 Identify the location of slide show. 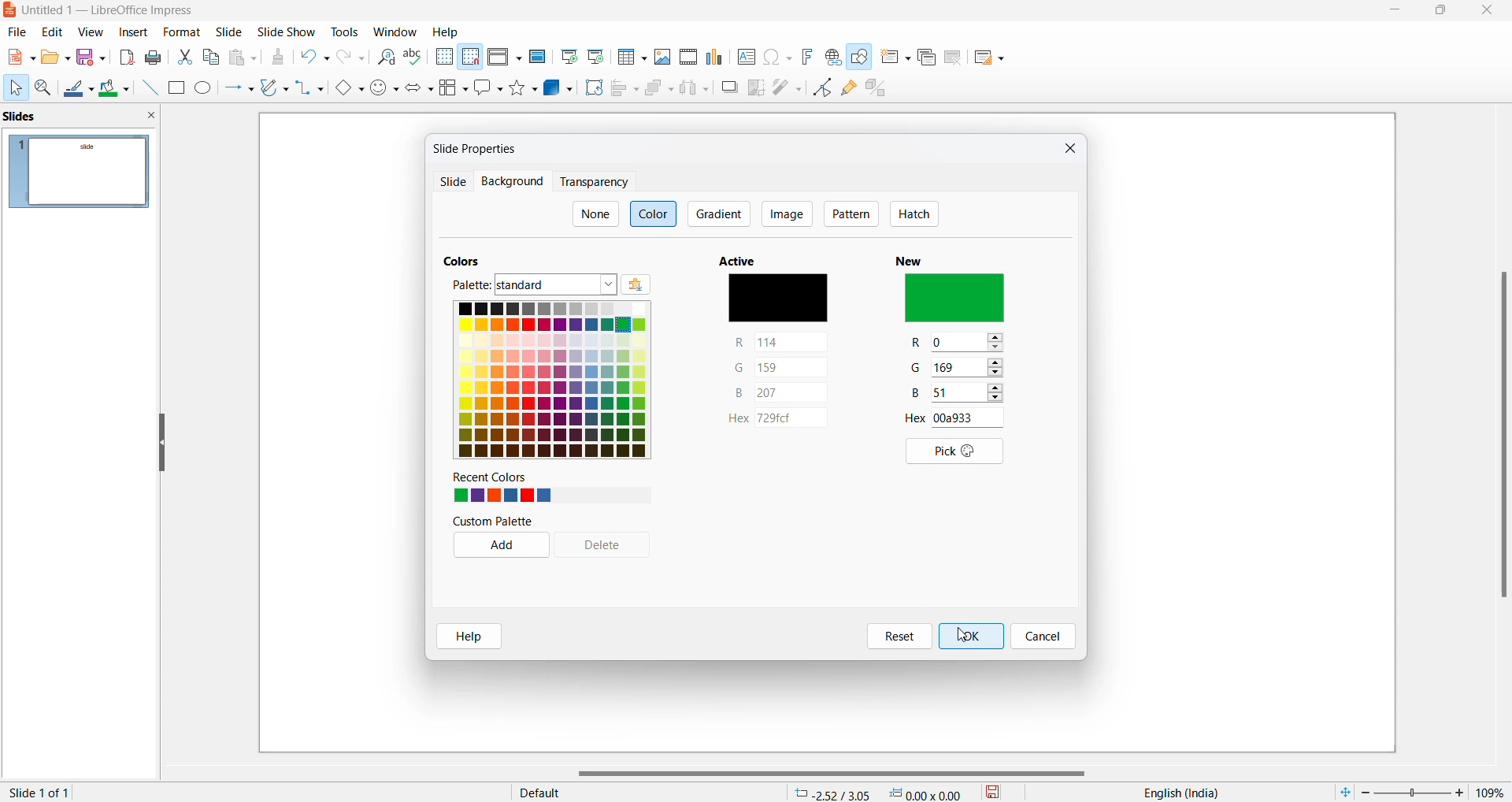
(287, 33).